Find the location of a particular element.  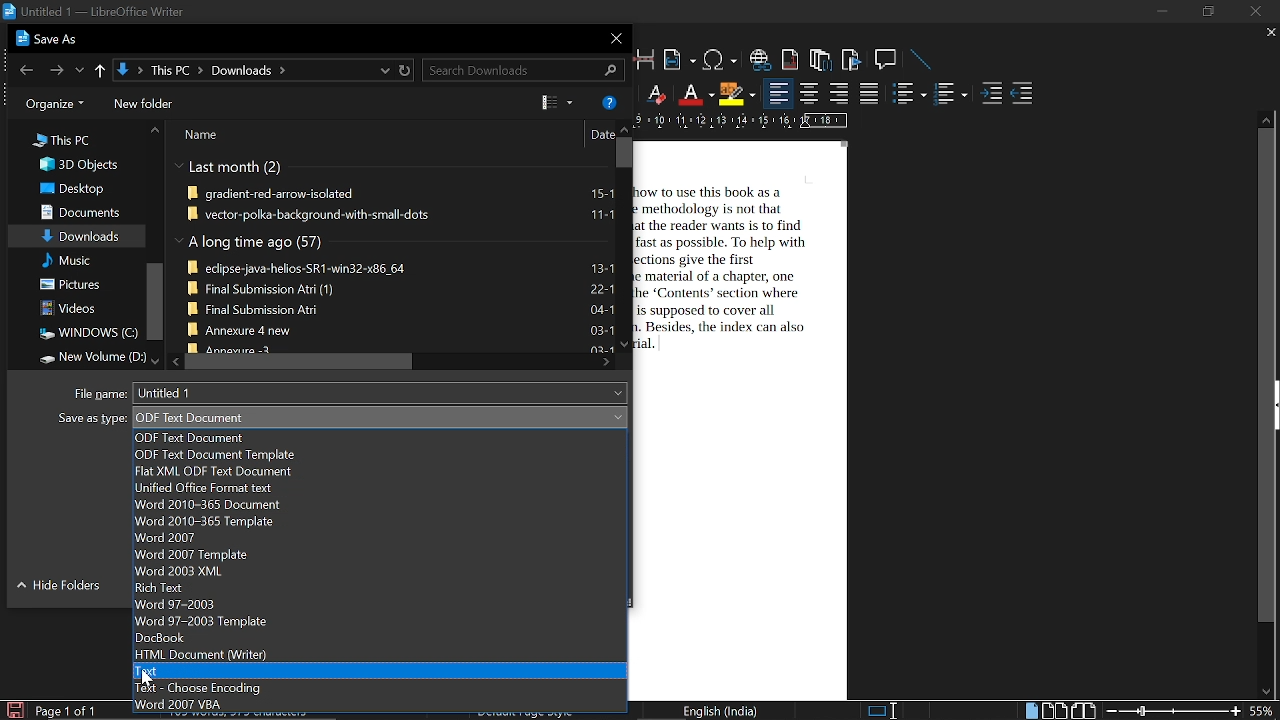

file name is located at coordinates (384, 392).